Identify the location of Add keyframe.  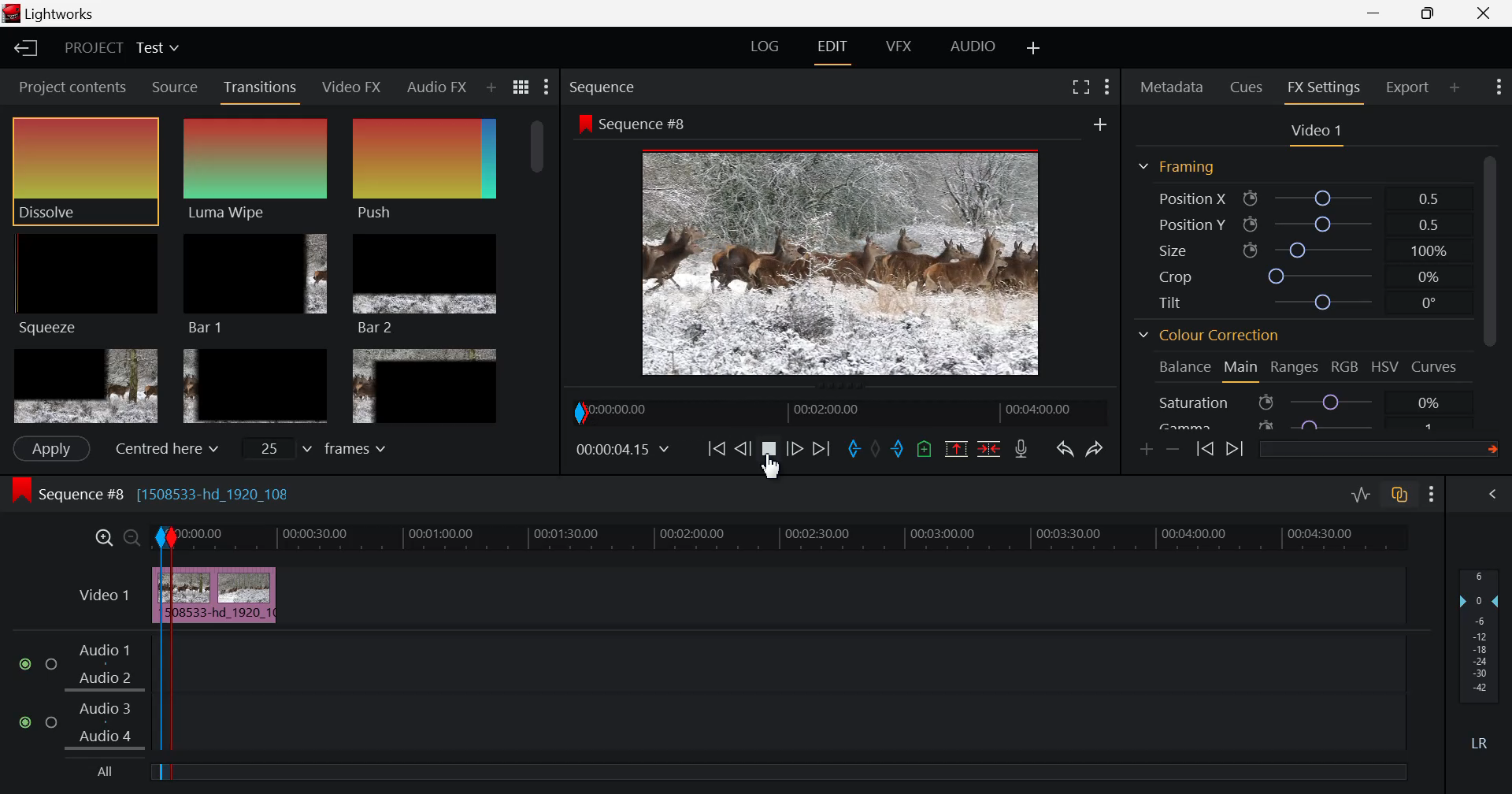
(1148, 449).